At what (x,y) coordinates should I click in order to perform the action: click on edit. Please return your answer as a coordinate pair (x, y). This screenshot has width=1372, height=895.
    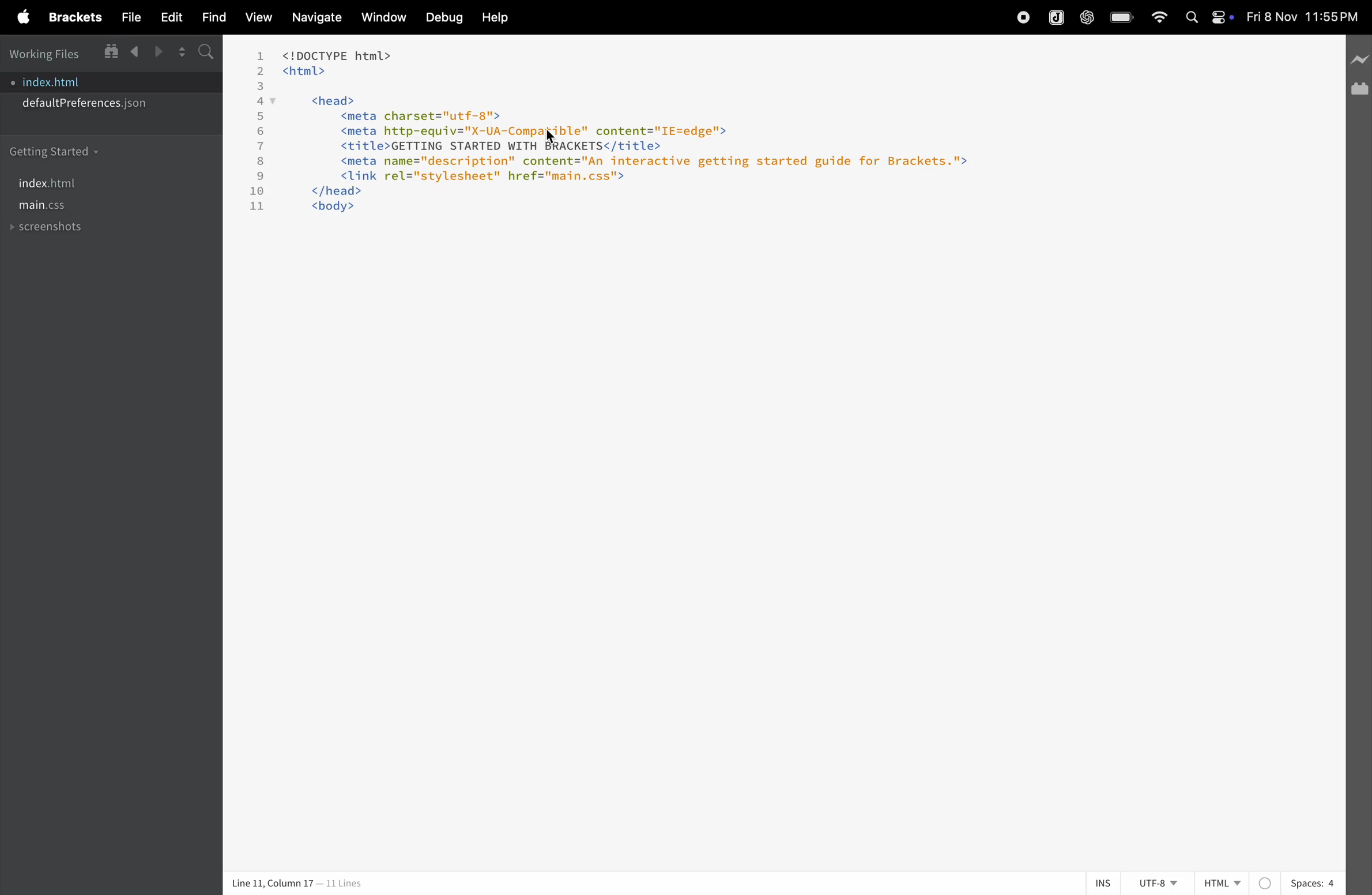
    Looking at the image, I should click on (169, 18).